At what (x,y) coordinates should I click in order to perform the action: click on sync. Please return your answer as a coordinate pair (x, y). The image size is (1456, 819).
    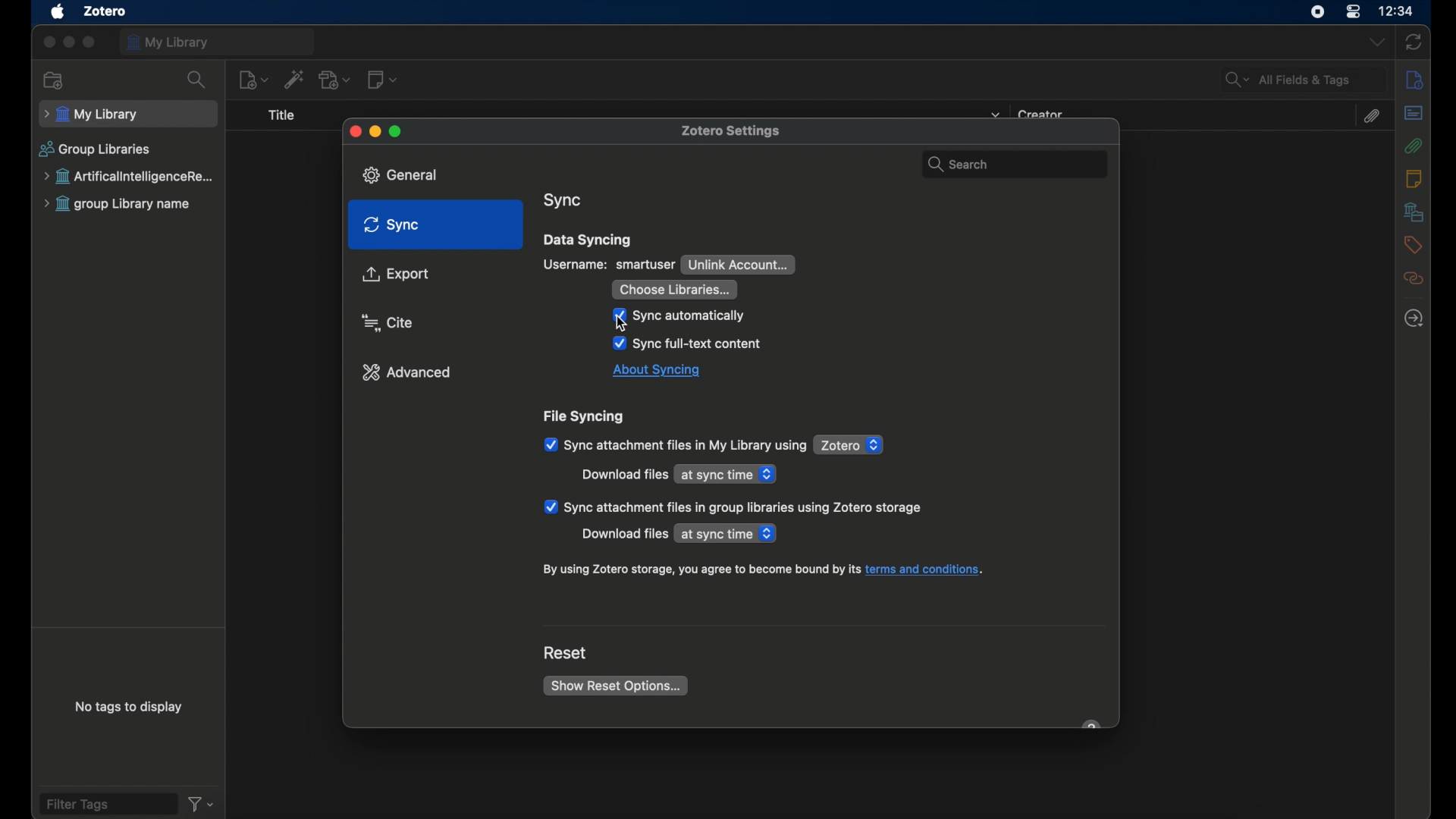
    Looking at the image, I should click on (1414, 42).